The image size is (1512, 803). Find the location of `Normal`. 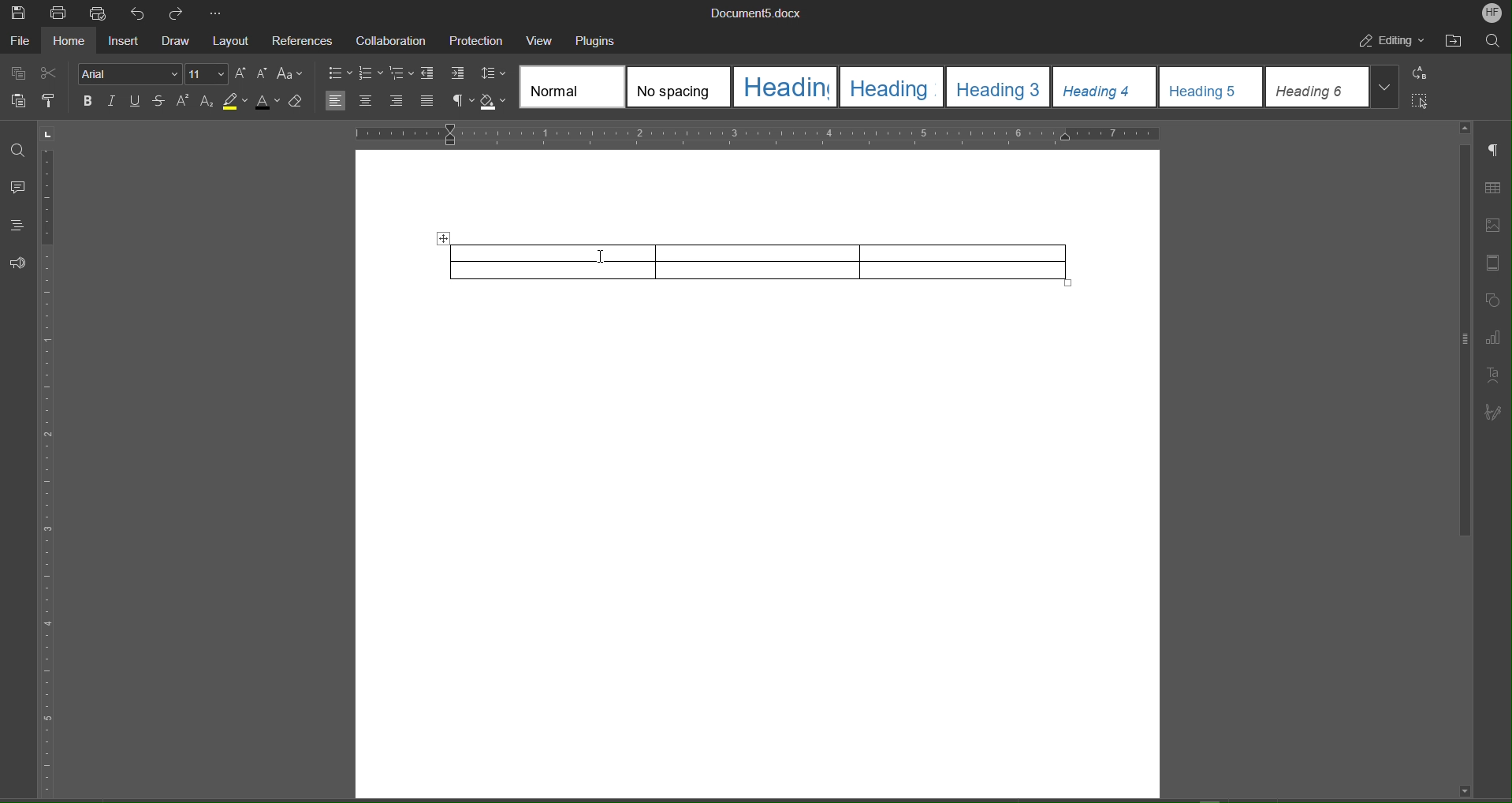

Normal is located at coordinates (572, 87).